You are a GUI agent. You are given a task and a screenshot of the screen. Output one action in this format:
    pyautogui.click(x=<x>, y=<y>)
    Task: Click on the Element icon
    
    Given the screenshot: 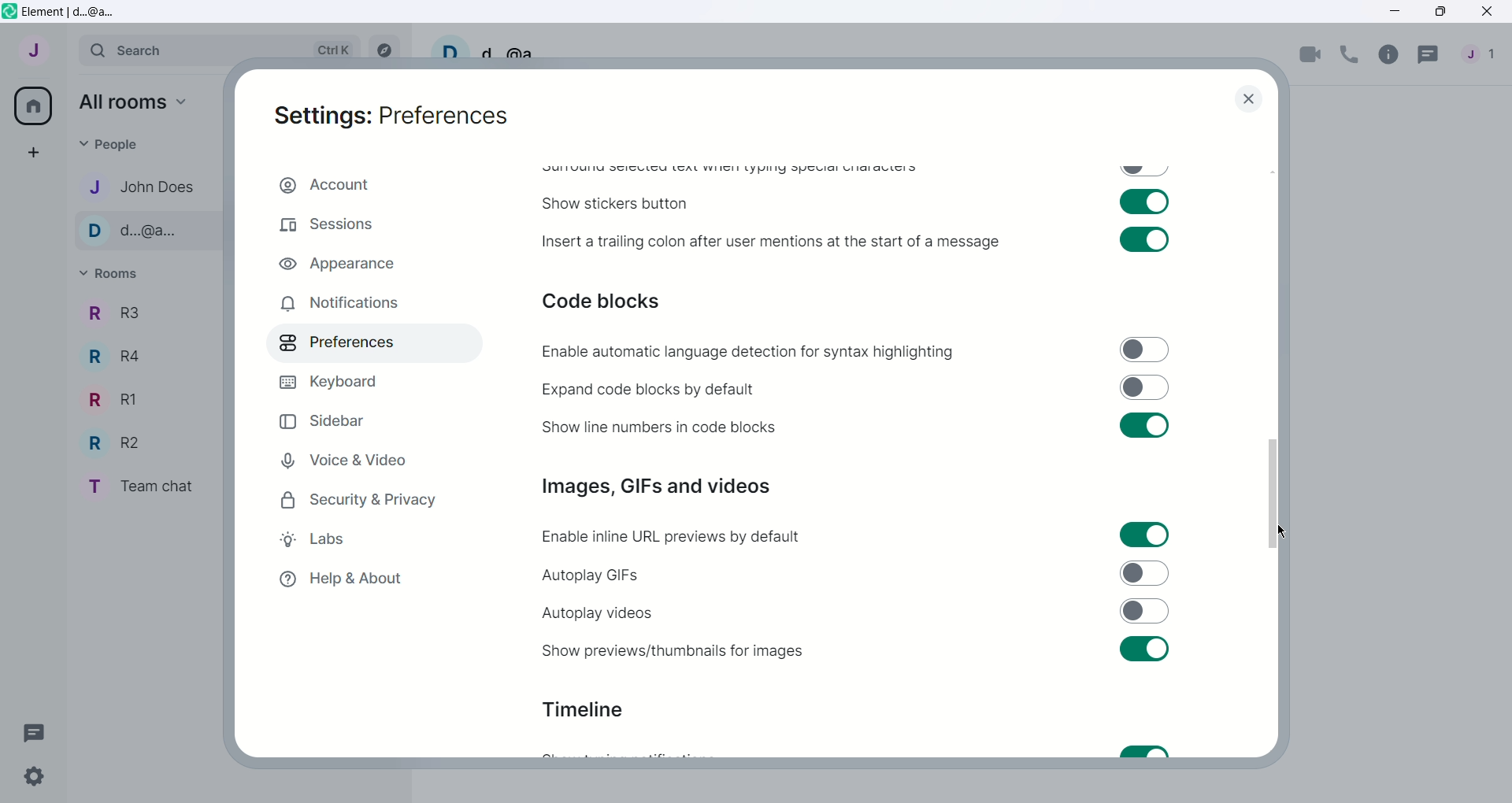 What is the action you would take?
    pyautogui.click(x=9, y=11)
    